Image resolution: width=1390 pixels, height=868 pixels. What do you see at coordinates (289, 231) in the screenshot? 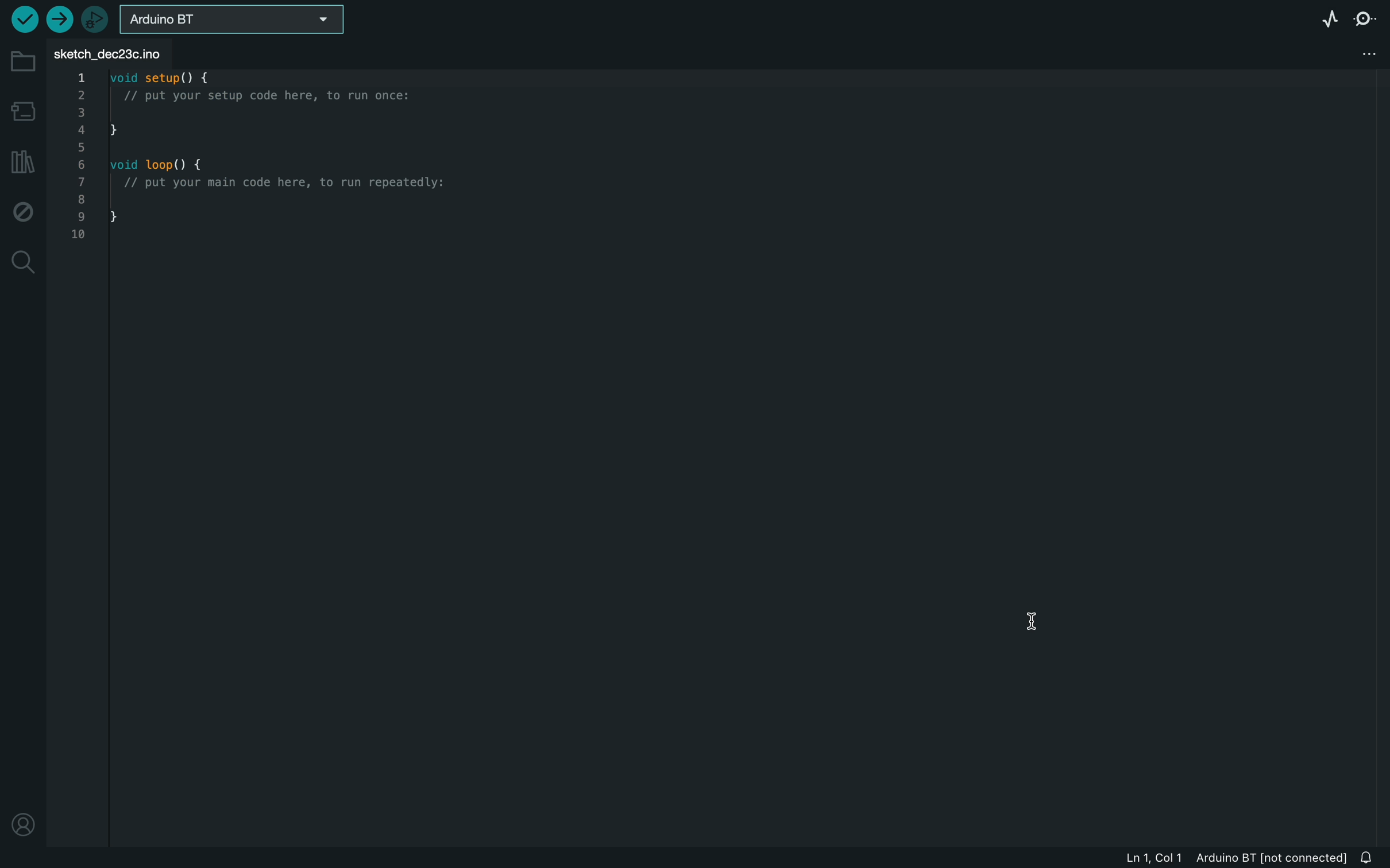
I see `file code` at bounding box center [289, 231].